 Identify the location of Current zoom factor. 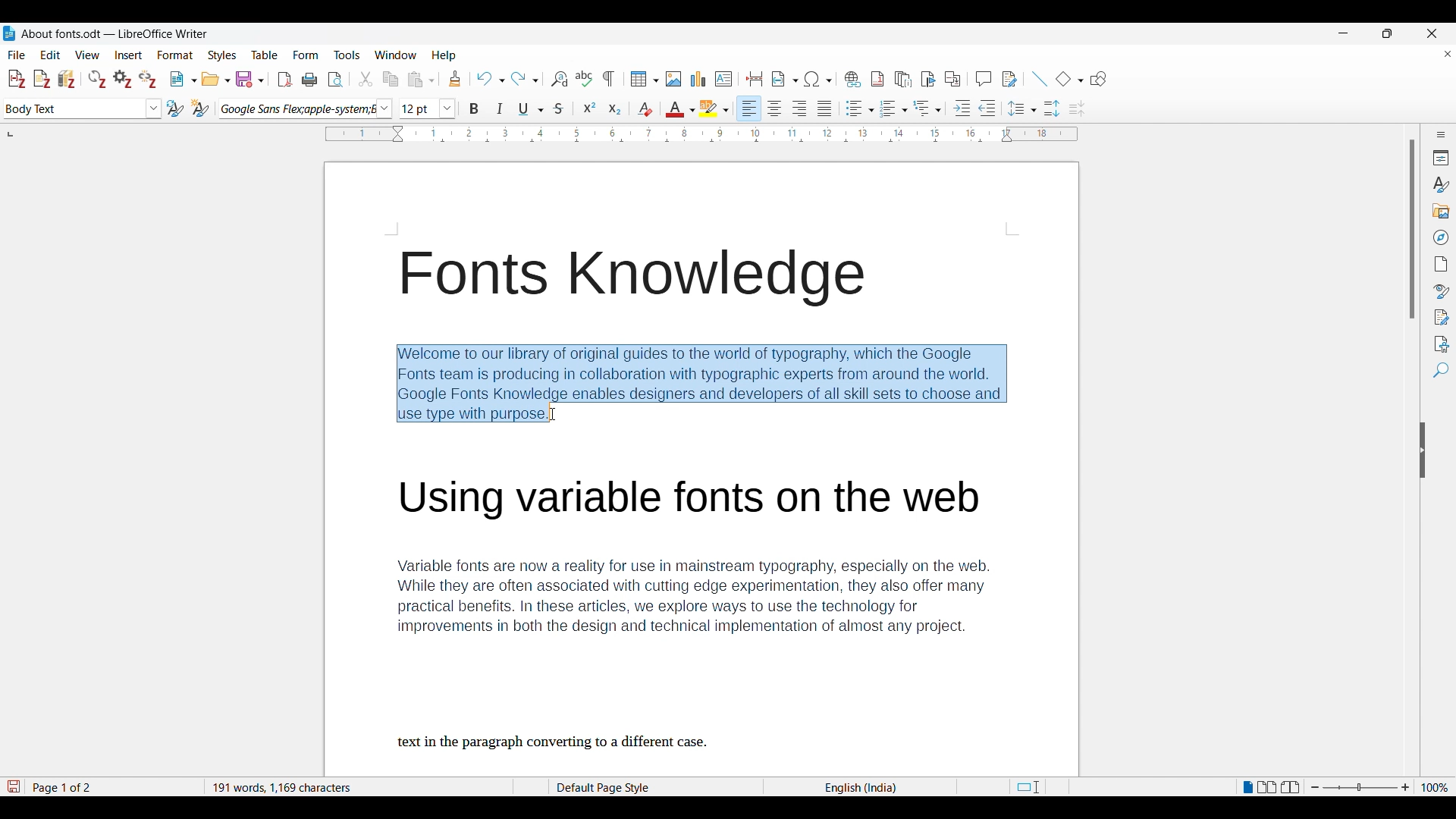
(1435, 787).